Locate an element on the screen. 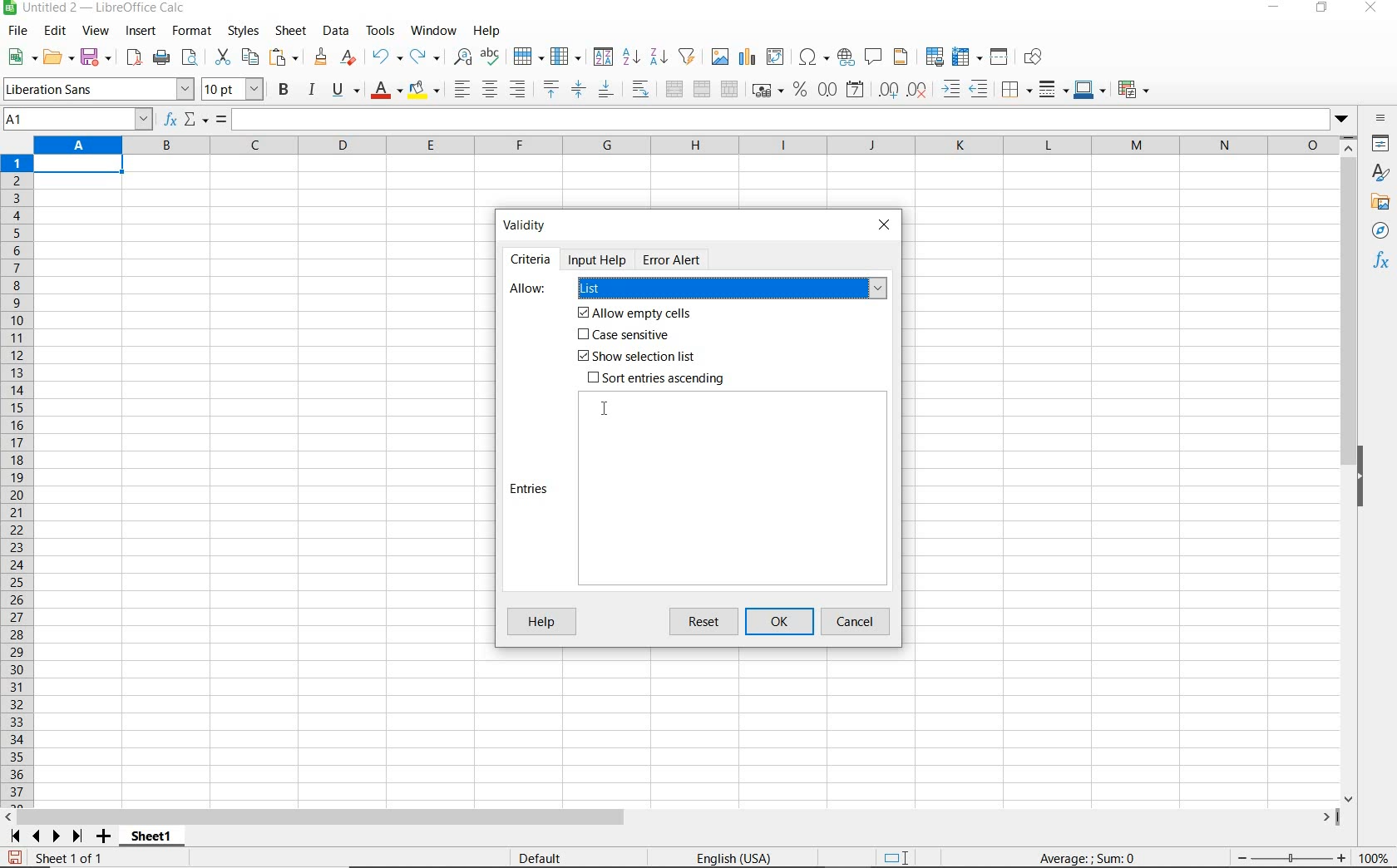 The image size is (1397, 868). merge and center or unmerge cells is located at coordinates (674, 90).